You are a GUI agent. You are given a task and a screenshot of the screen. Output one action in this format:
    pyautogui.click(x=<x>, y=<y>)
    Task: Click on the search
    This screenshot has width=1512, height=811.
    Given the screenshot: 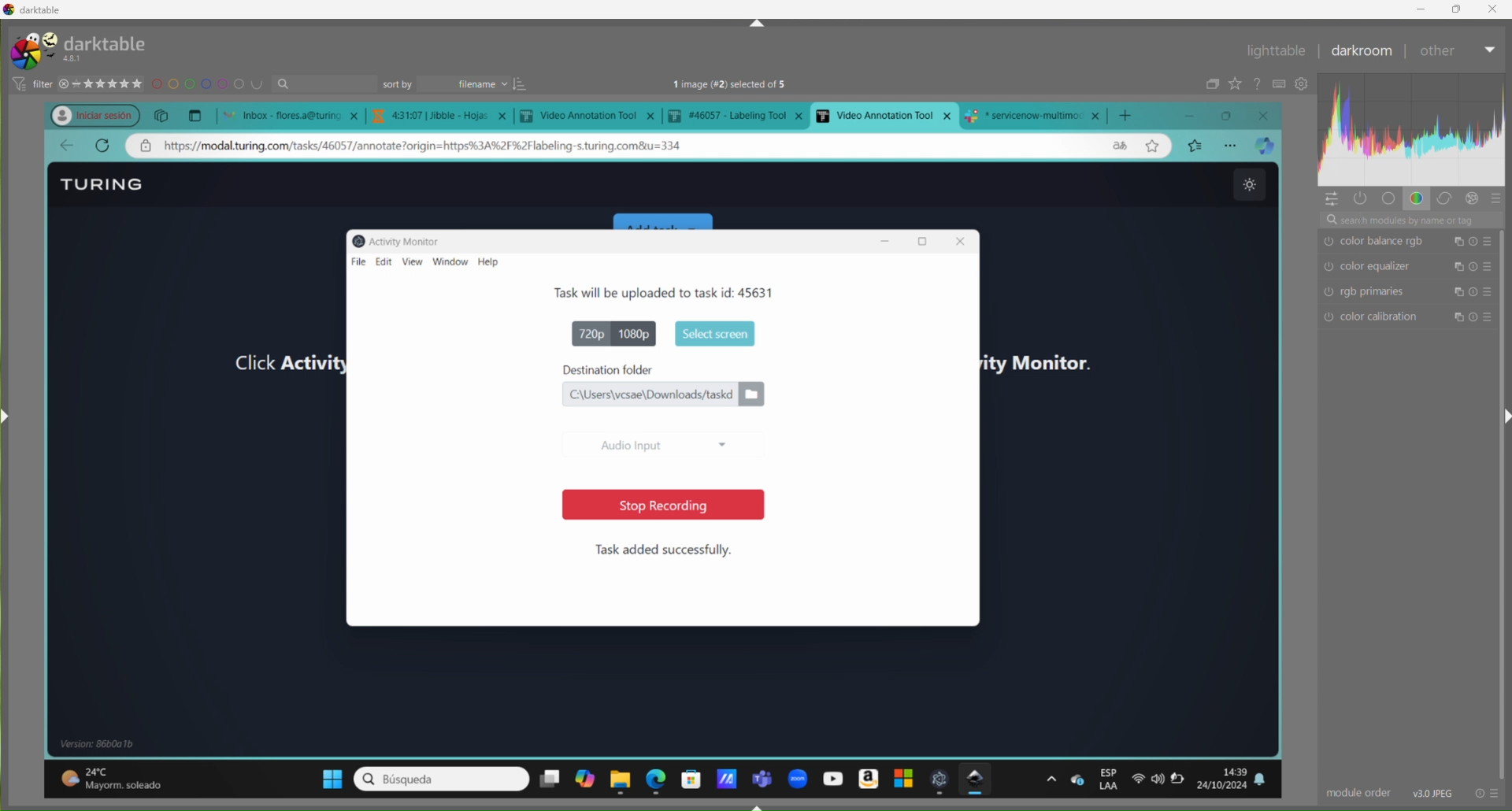 What is the action you would take?
    pyautogui.click(x=440, y=779)
    